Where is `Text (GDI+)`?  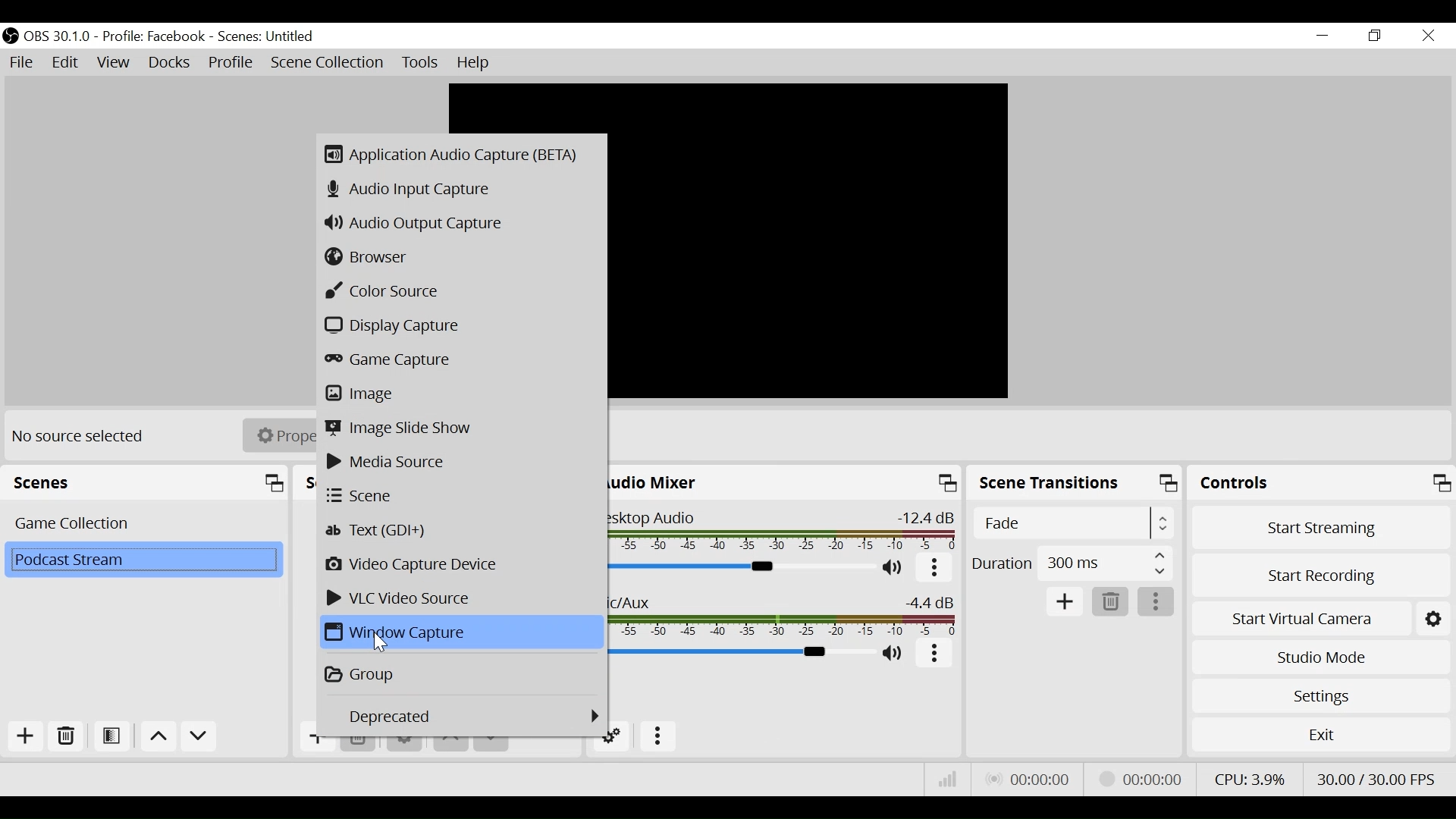
Text (GDI+) is located at coordinates (463, 529).